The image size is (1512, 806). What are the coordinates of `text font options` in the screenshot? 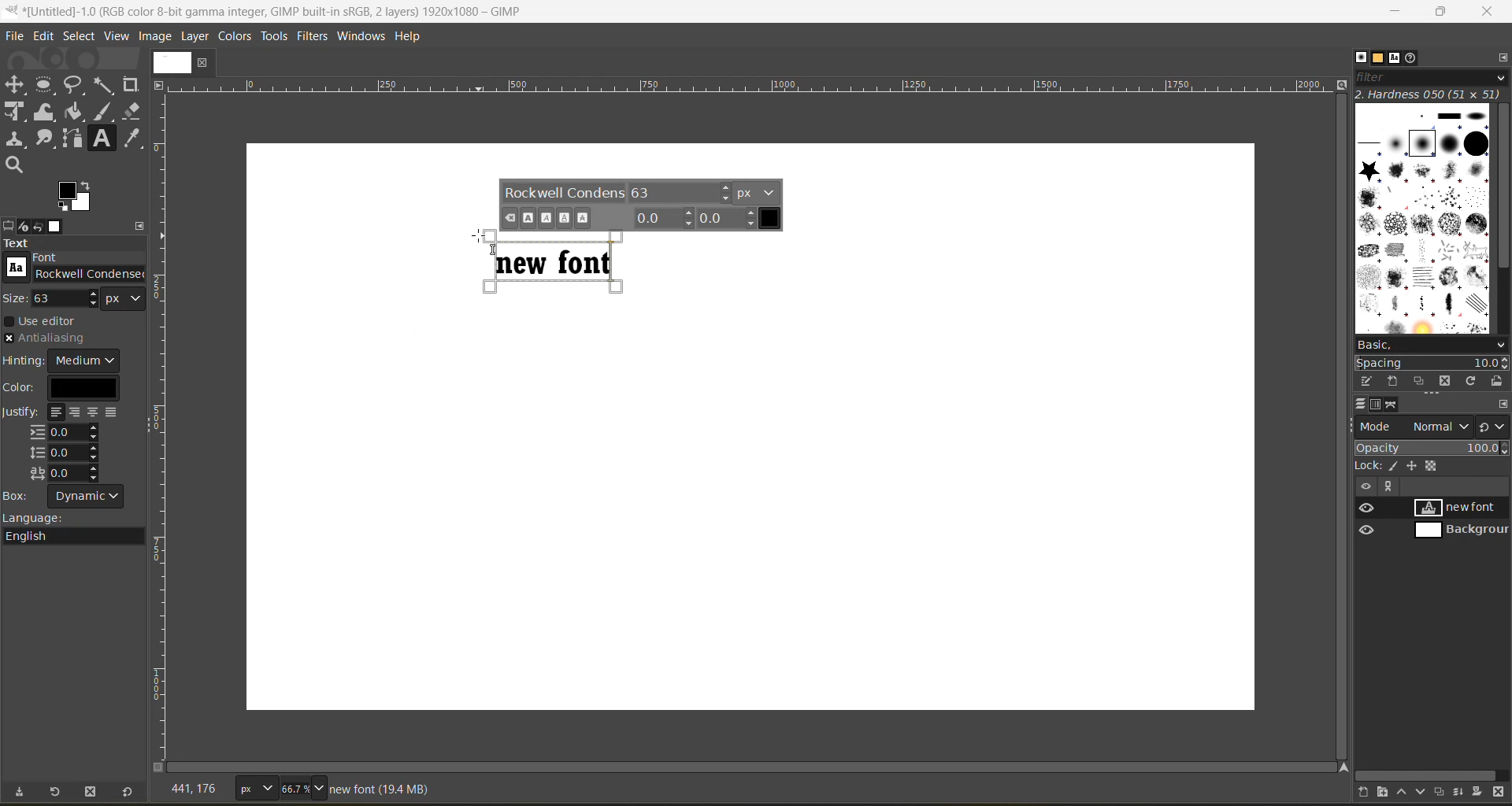 It's located at (643, 205).